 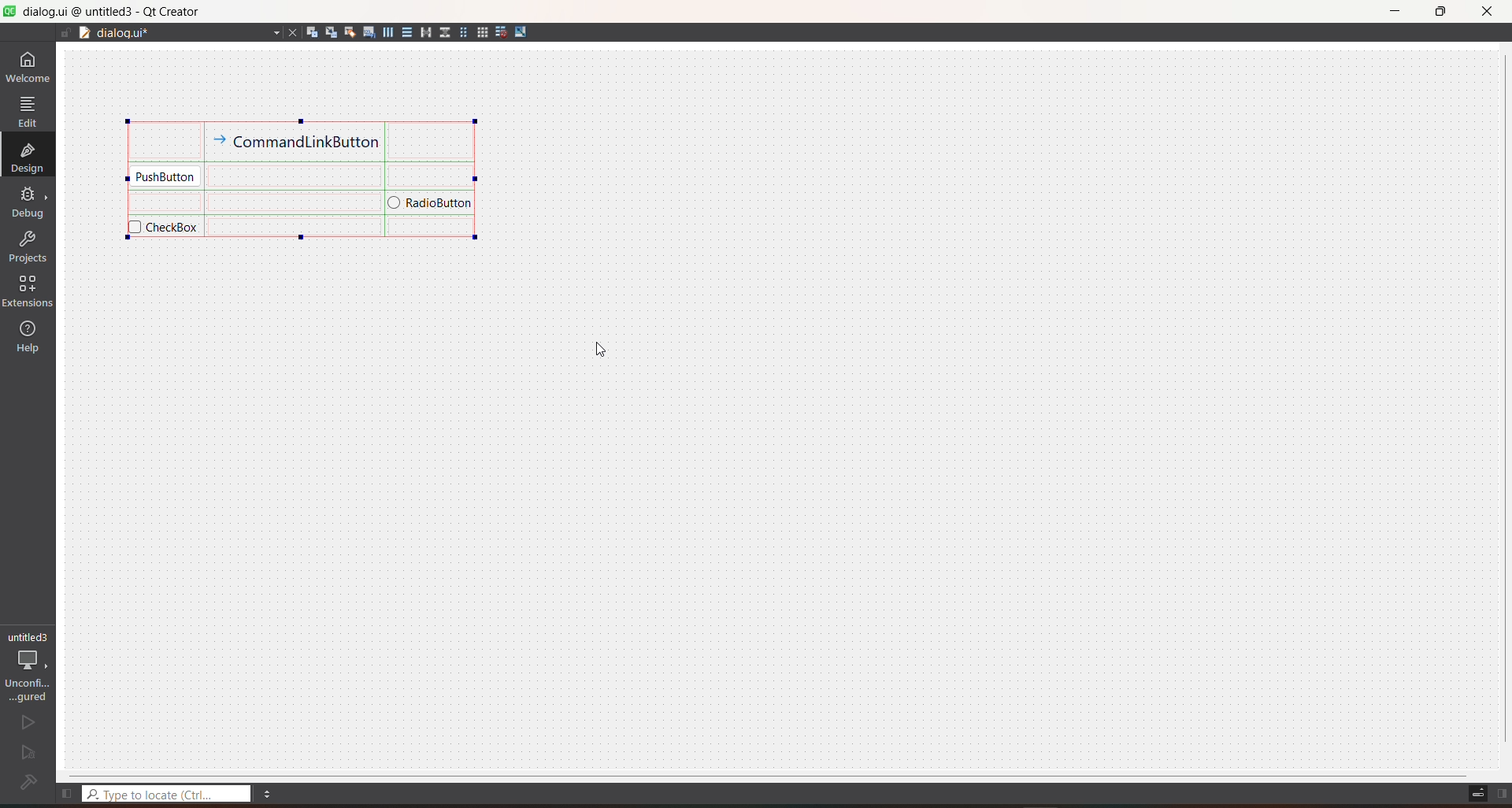 I want to click on drag to document splitter, so click(x=84, y=34).